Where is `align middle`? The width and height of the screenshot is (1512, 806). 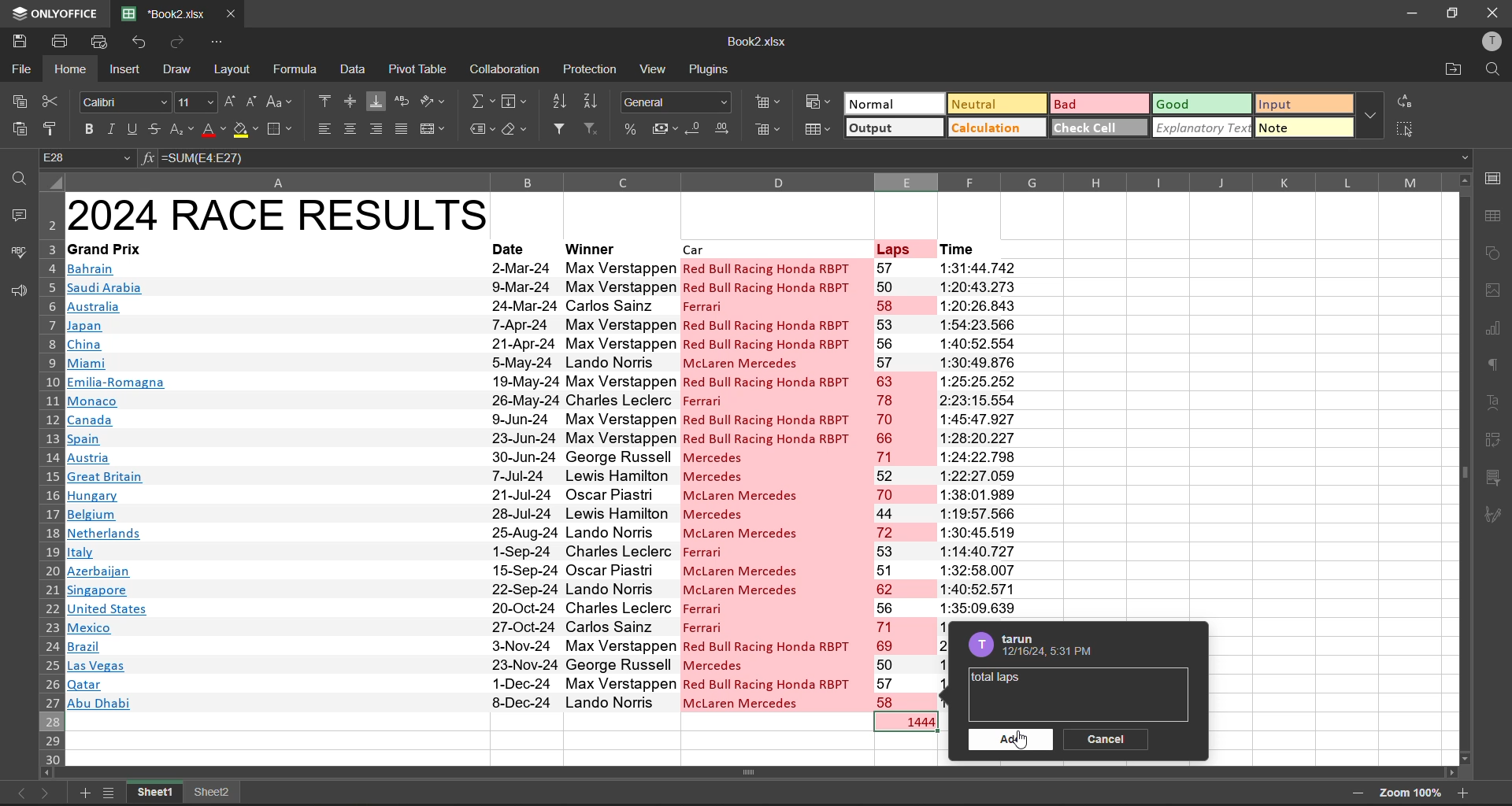 align middle is located at coordinates (349, 101).